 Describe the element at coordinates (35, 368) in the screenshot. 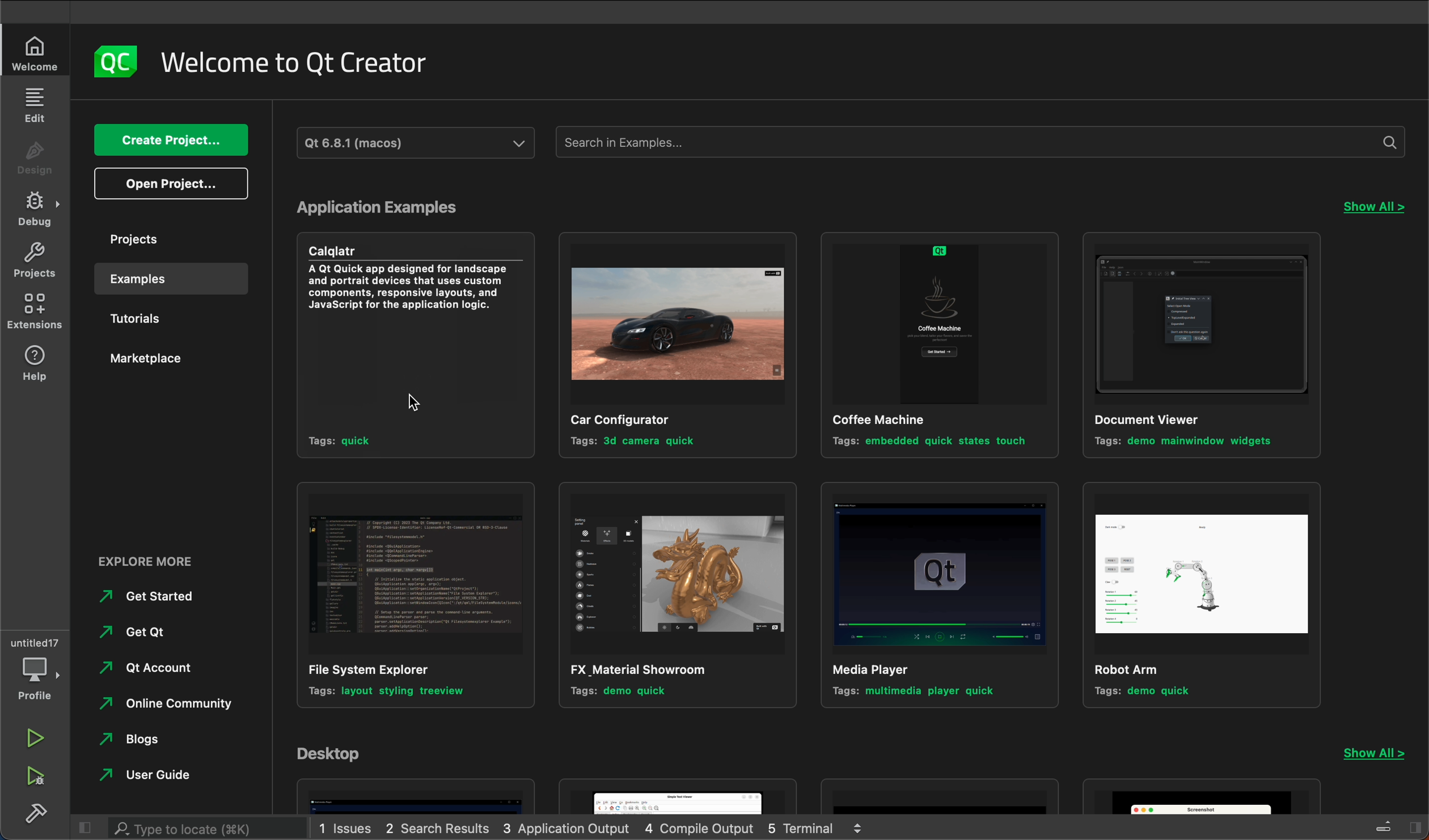

I see `help` at that location.